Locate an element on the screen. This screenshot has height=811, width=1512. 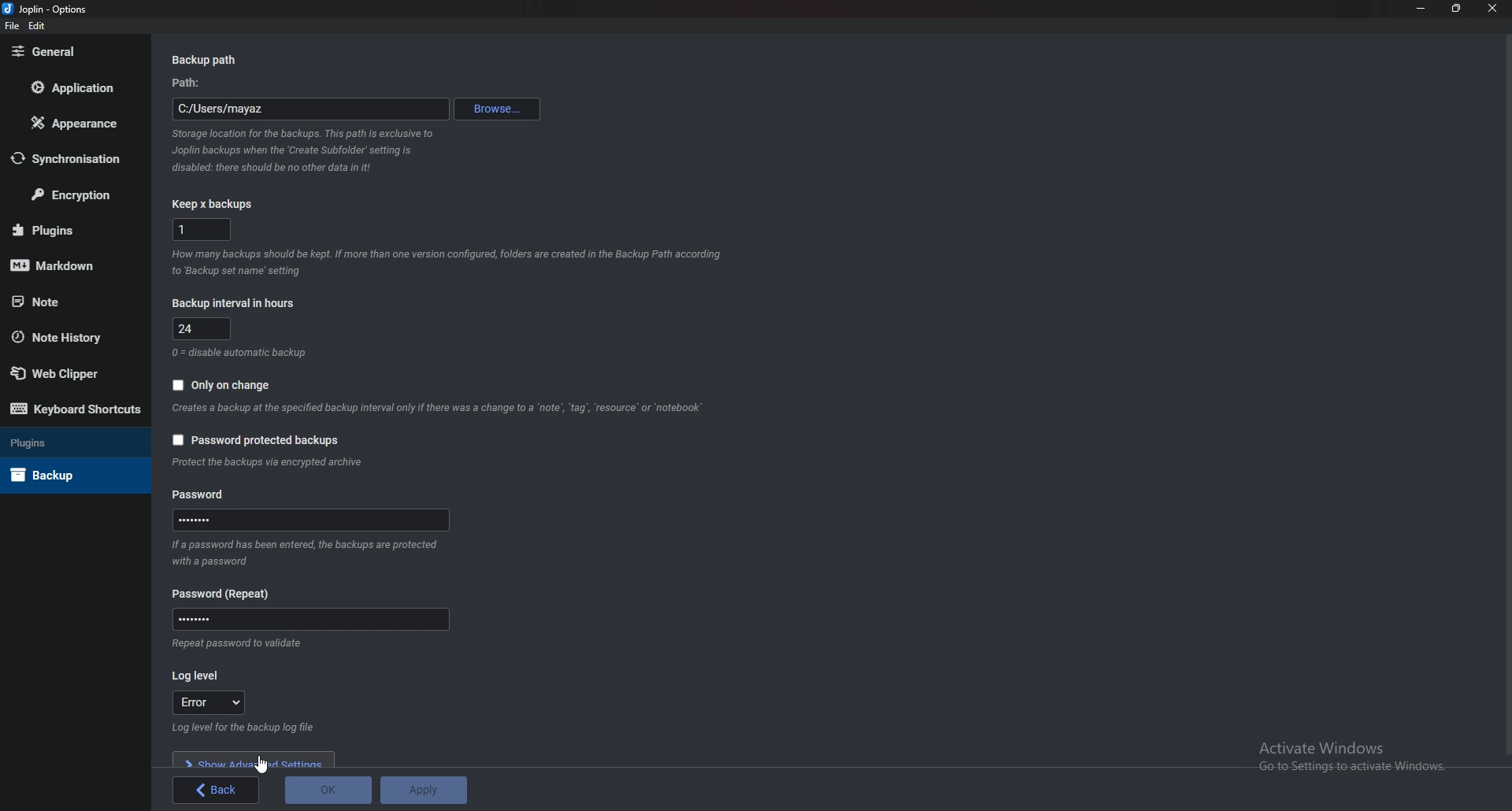
hours is located at coordinates (202, 329).